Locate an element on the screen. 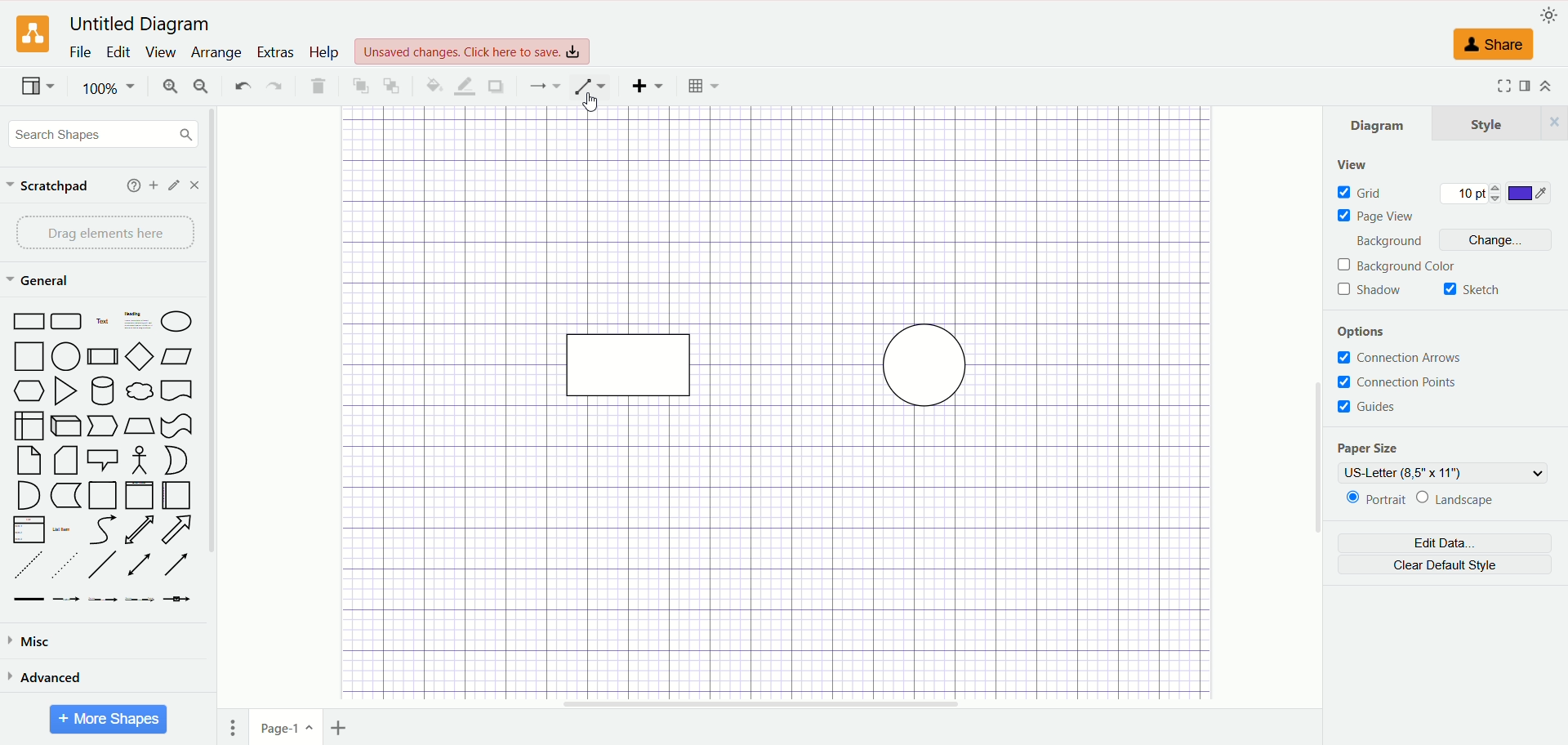 The width and height of the screenshot is (1568, 745). Semicircle is located at coordinates (29, 495).